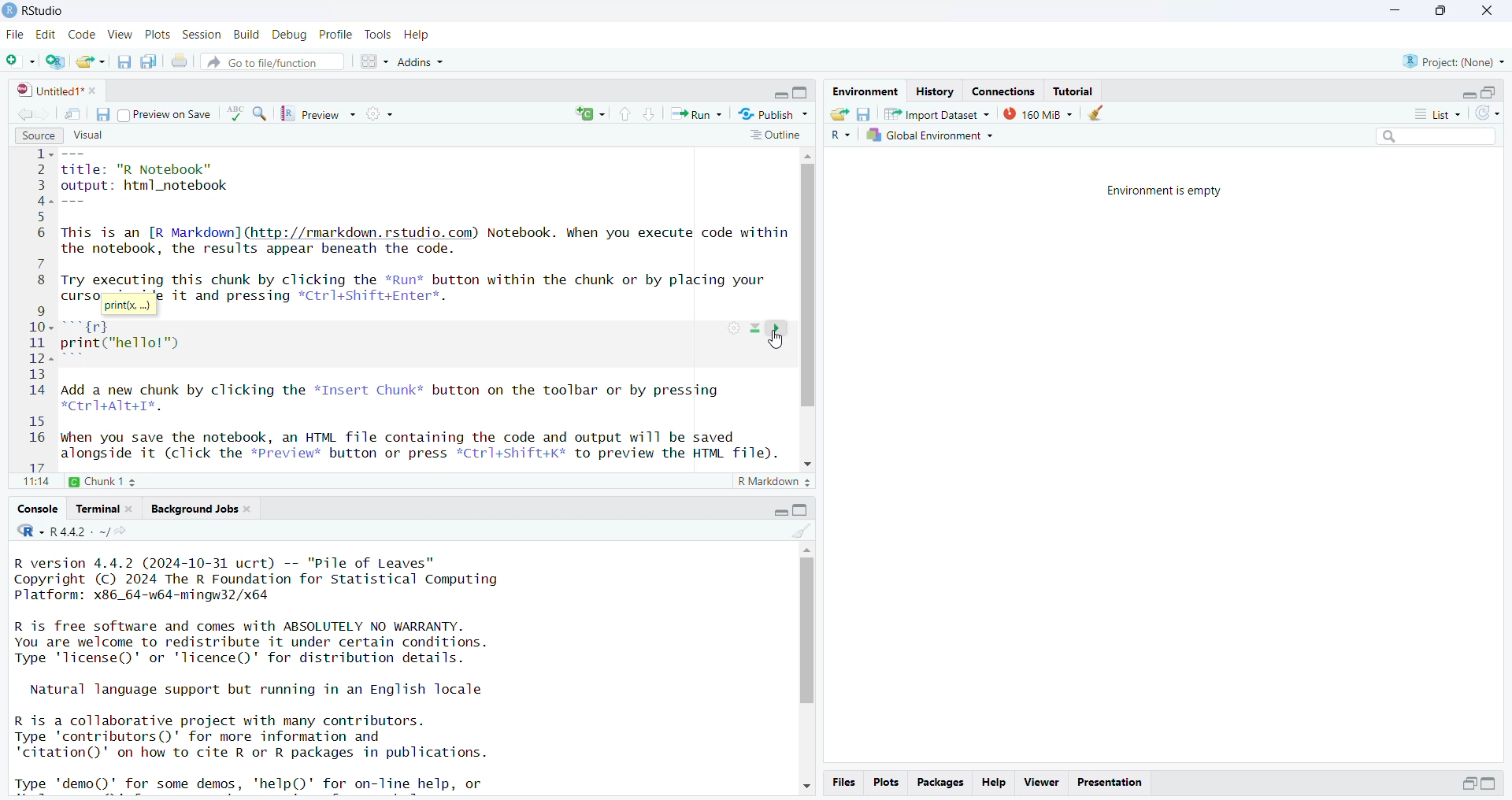  Describe the element at coordinates (1492, 92) in the screenshot. I see `collapse` at that location.